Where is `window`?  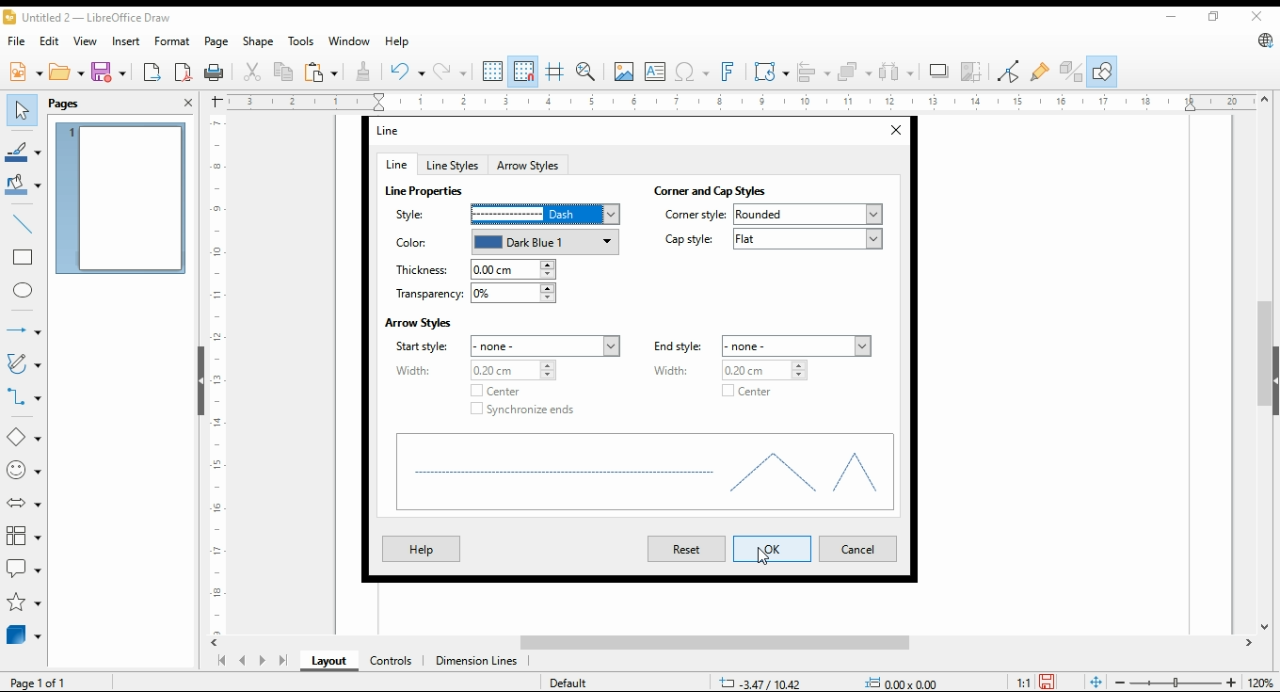
window is located at coordinates (348, 41).